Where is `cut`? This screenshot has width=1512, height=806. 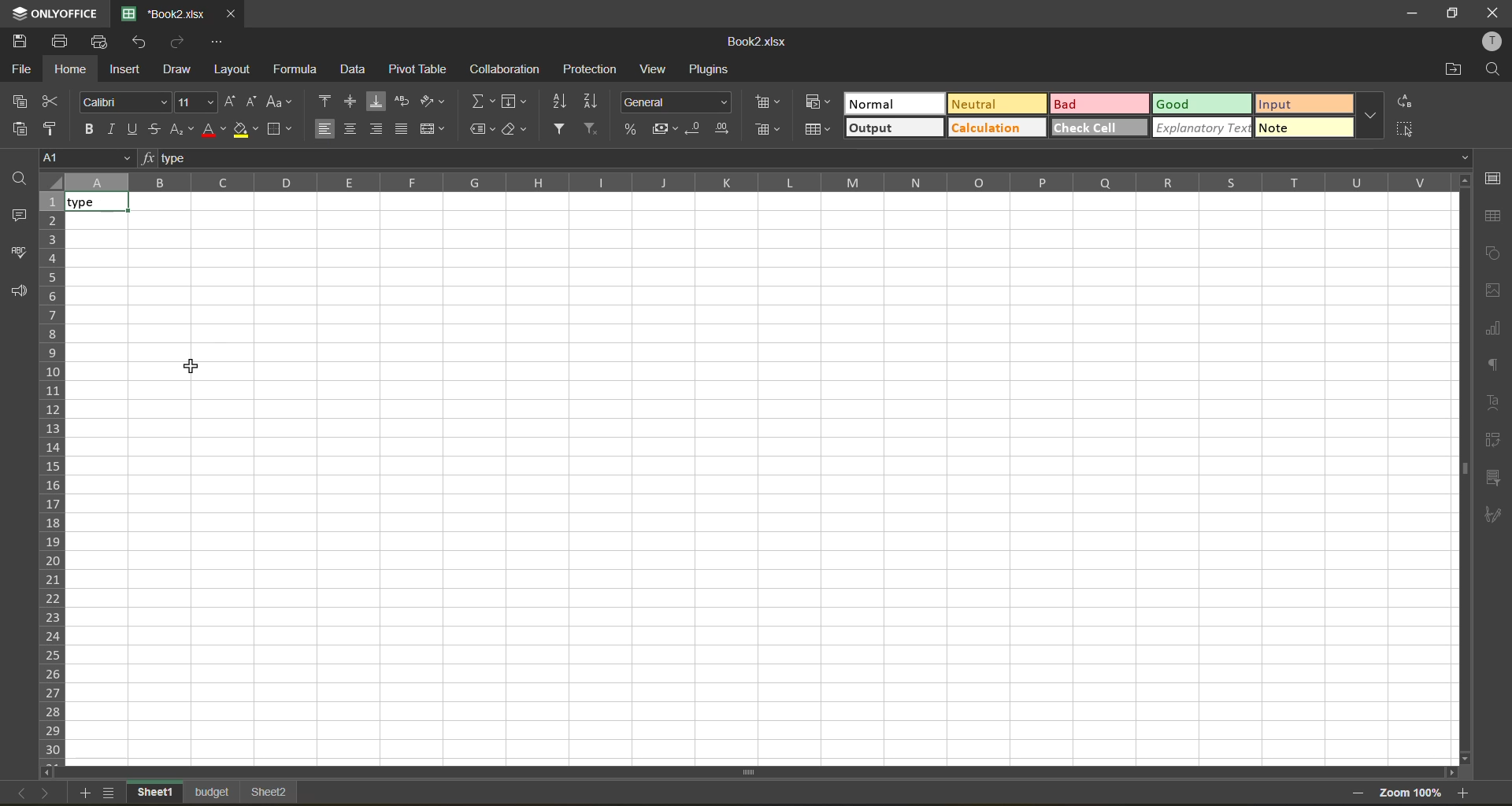 cut is located at coordinates (52, 104).